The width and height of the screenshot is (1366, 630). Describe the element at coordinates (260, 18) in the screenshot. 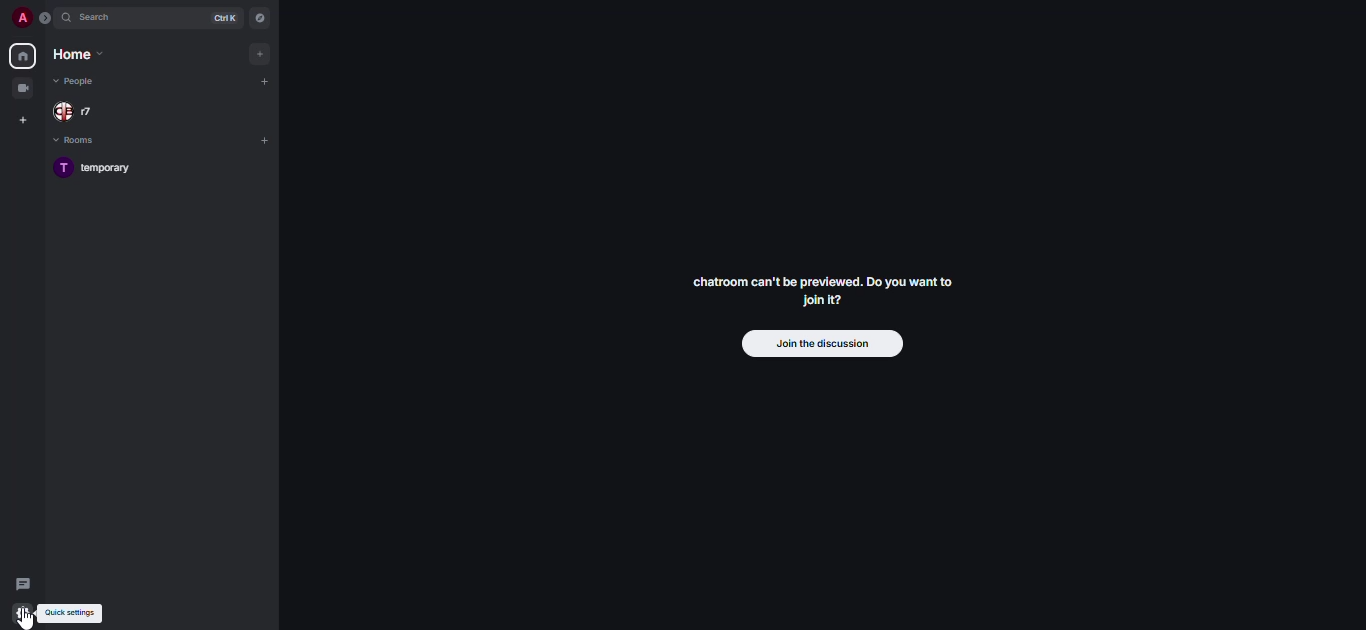

I see `navigator` at that location.